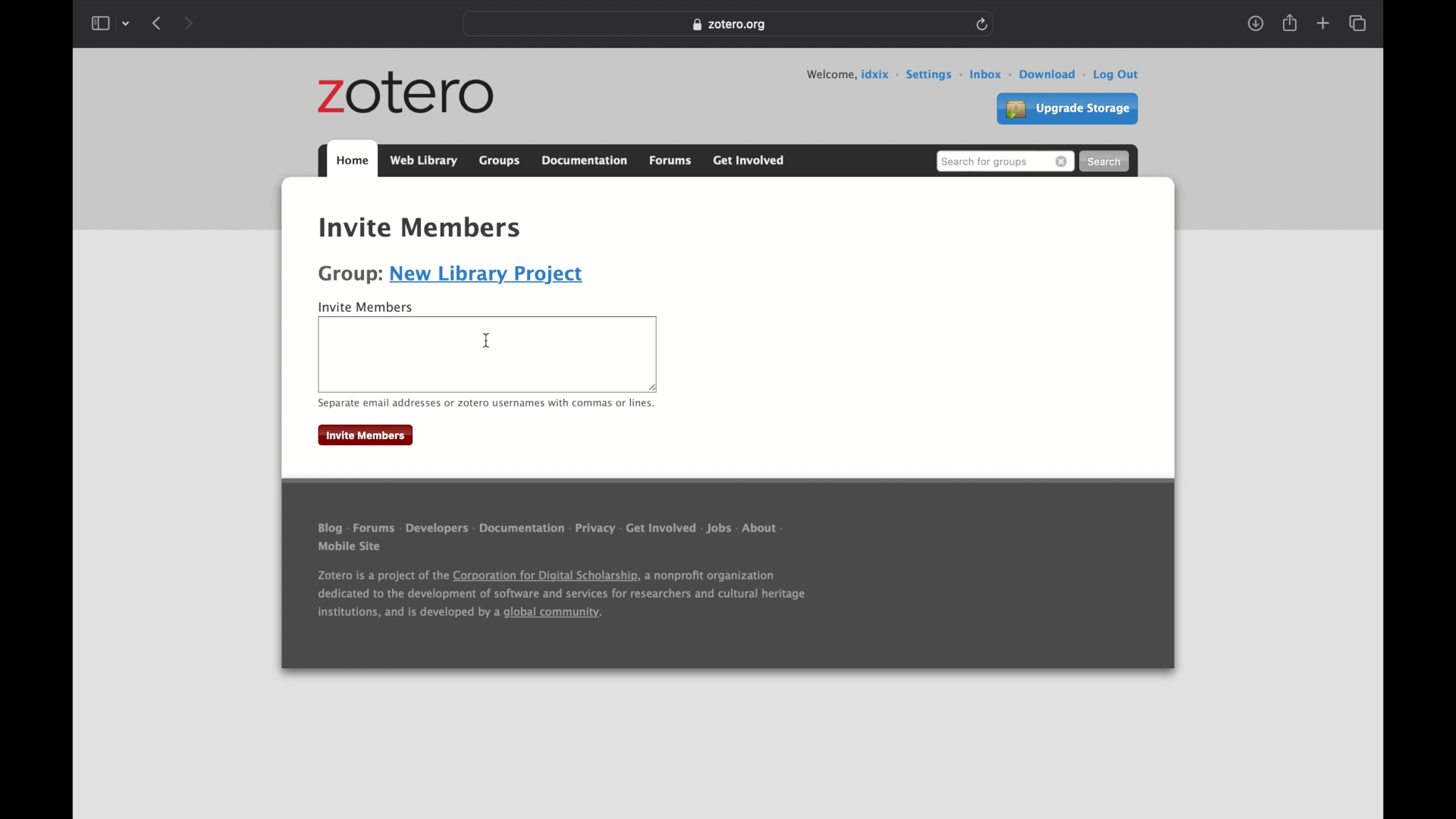 Image resolution: width=1456 pixels, height=819 pixels. What do you see at coordinates (419, 228) in the screenshot?
I see `Invite members` at bounding box center [419, 228].